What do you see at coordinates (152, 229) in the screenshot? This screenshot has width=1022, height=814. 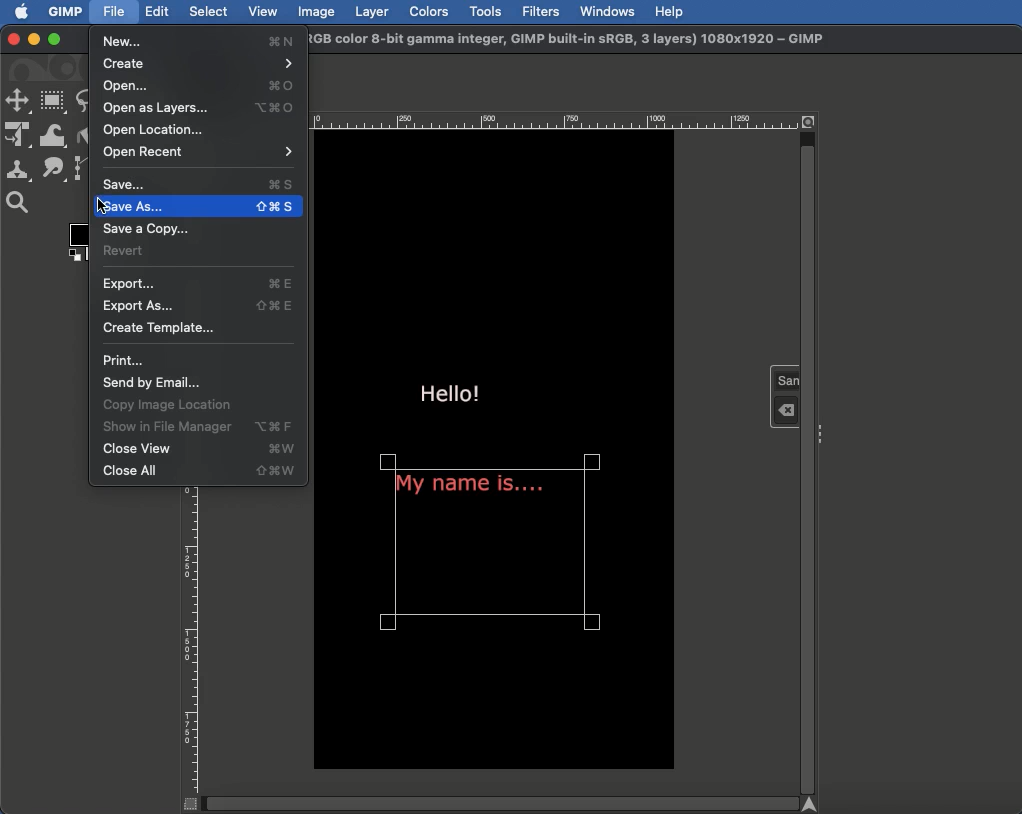 I see `Save a copy` at bounding box center [152, 229].